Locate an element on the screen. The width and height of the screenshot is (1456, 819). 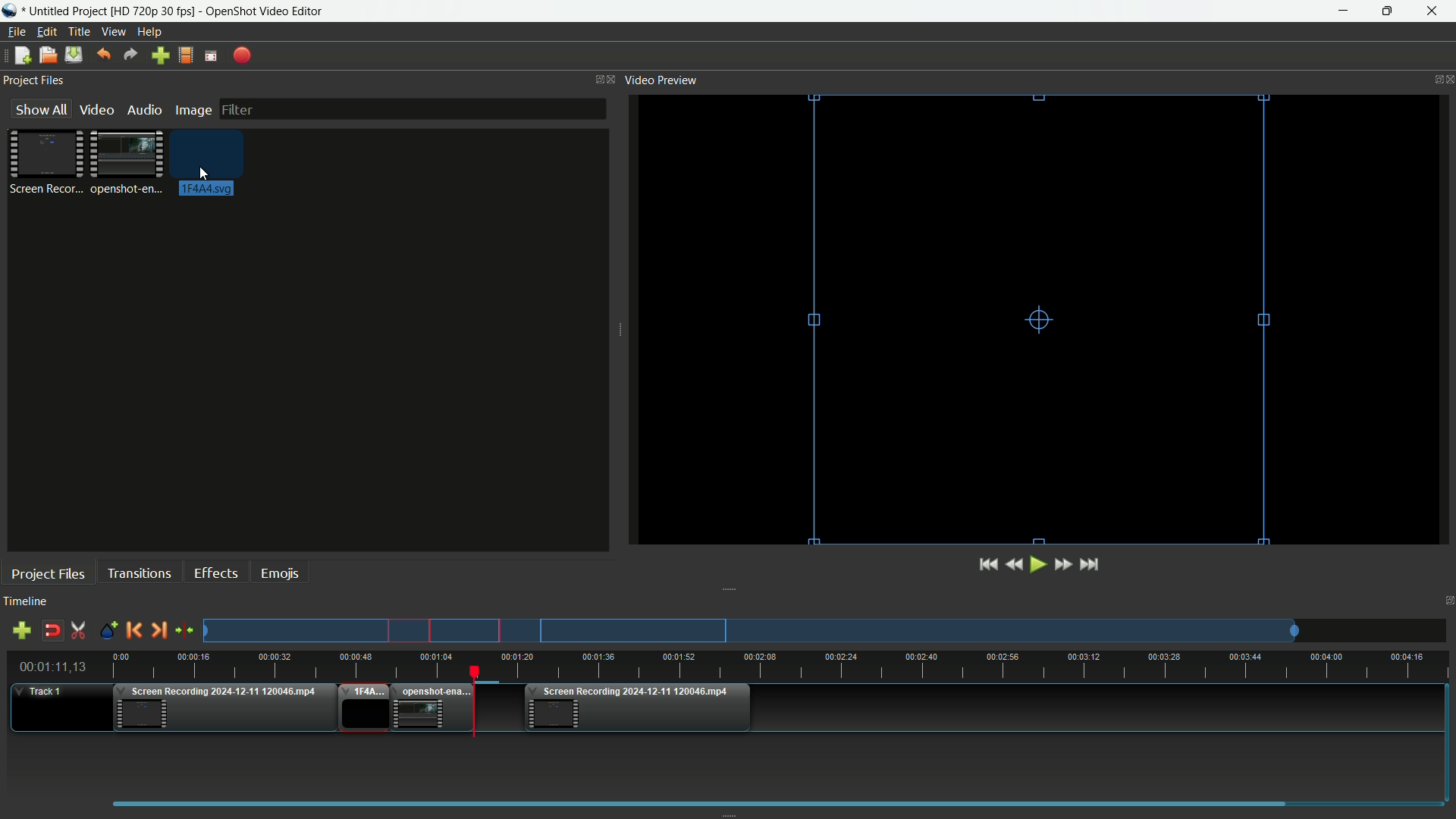
timeline ruler is located at coordinates (781, 667).